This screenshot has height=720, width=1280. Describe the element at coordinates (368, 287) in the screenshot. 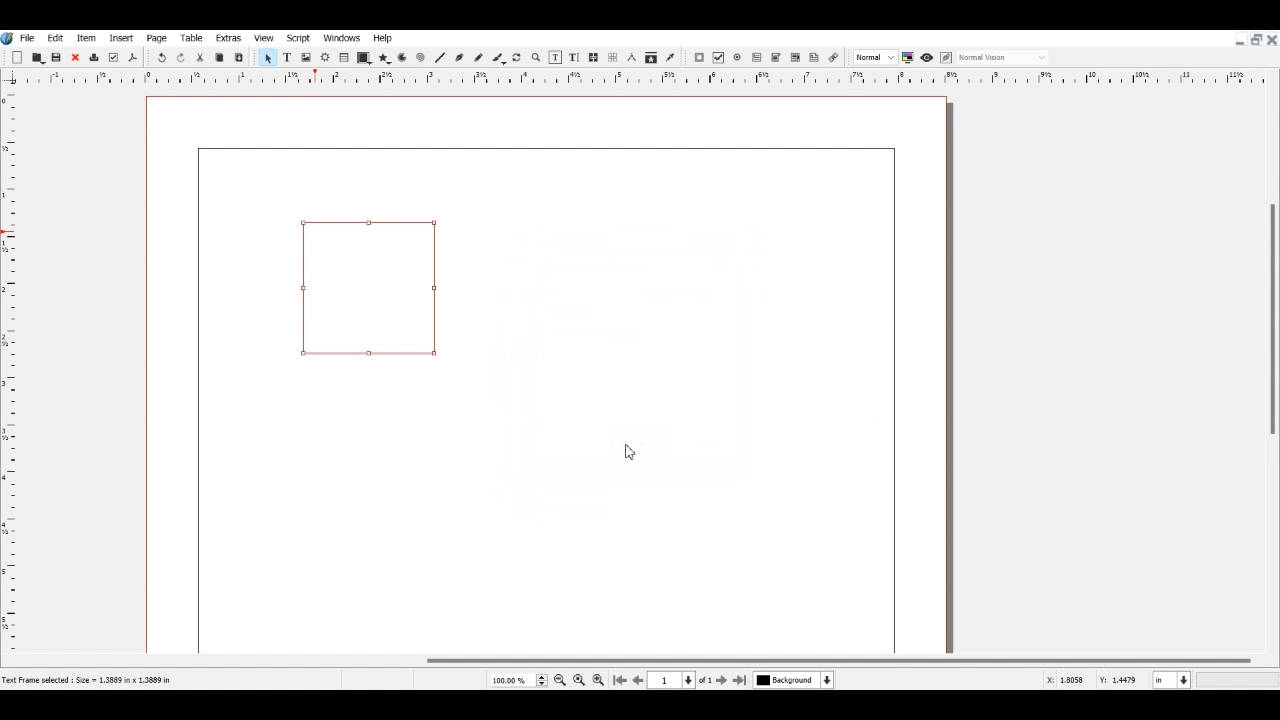

I see `Link Annotation` at that location.